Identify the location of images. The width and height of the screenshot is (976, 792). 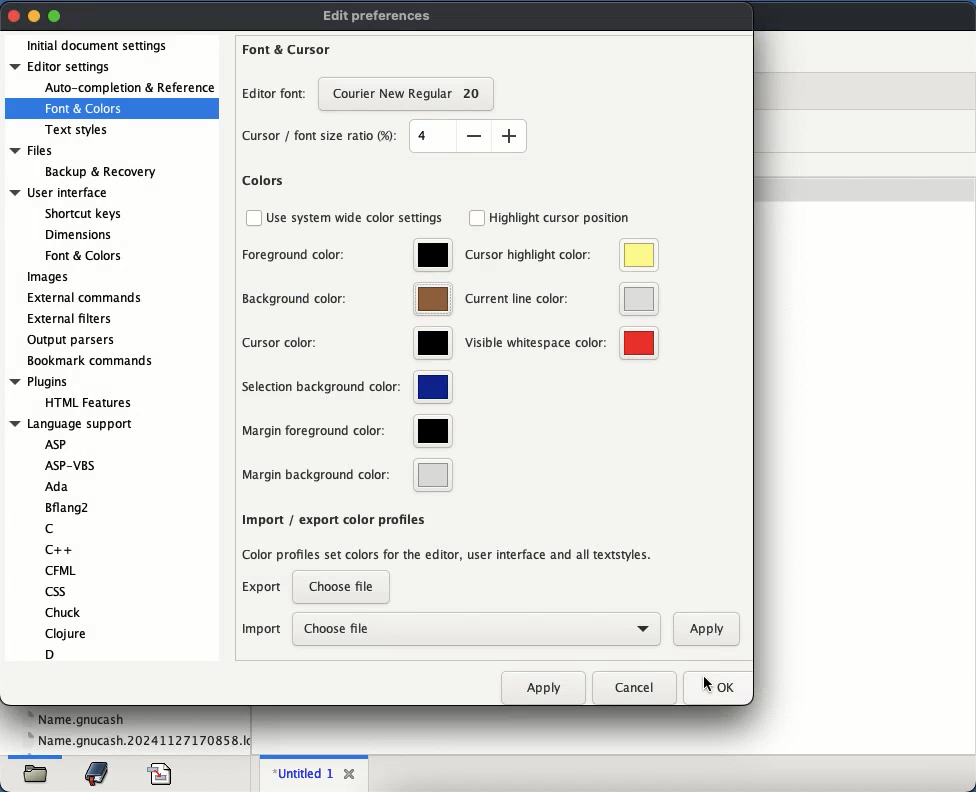
(48, 278).